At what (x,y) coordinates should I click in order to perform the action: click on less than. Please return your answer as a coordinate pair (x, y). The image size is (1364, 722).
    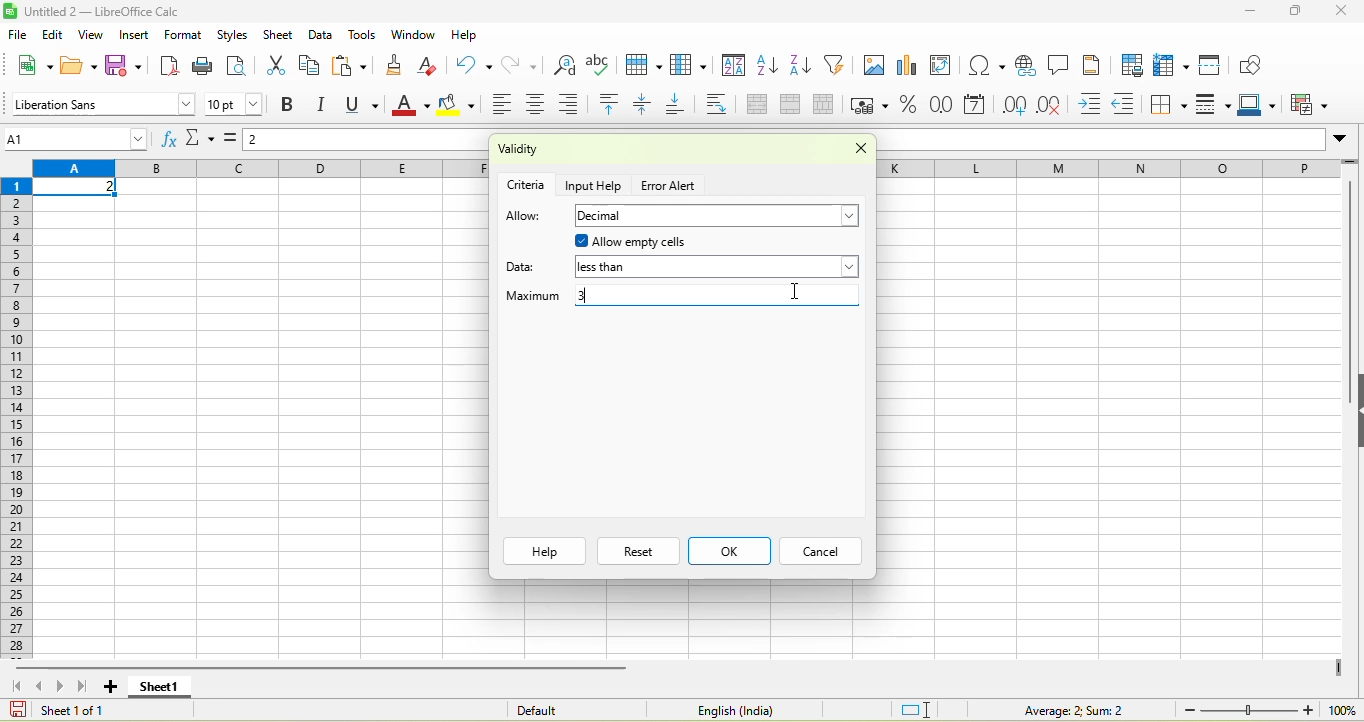
    Looking at the image, I should click on (717, 269).